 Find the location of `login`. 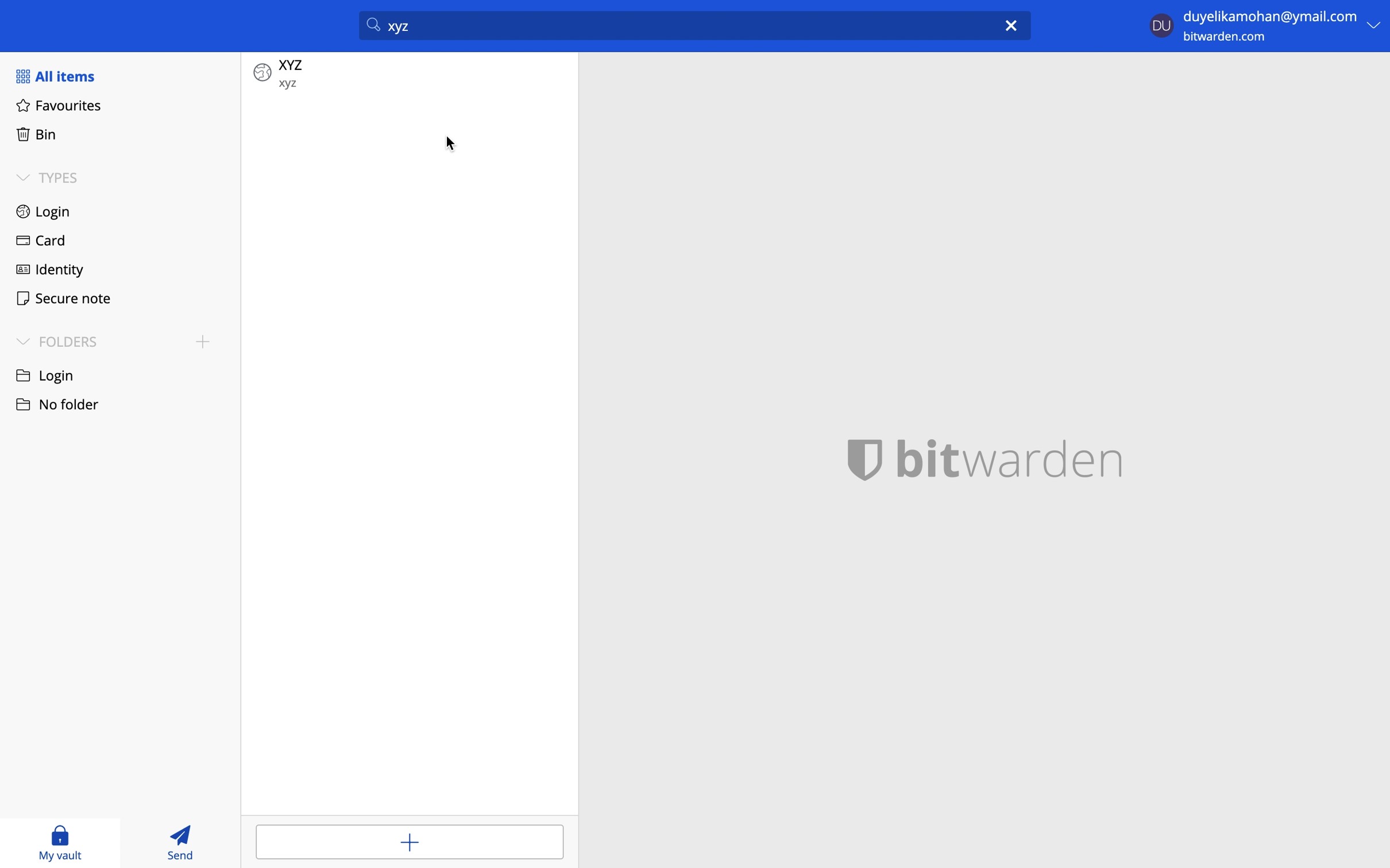

login is located at coordinates (45, 211).